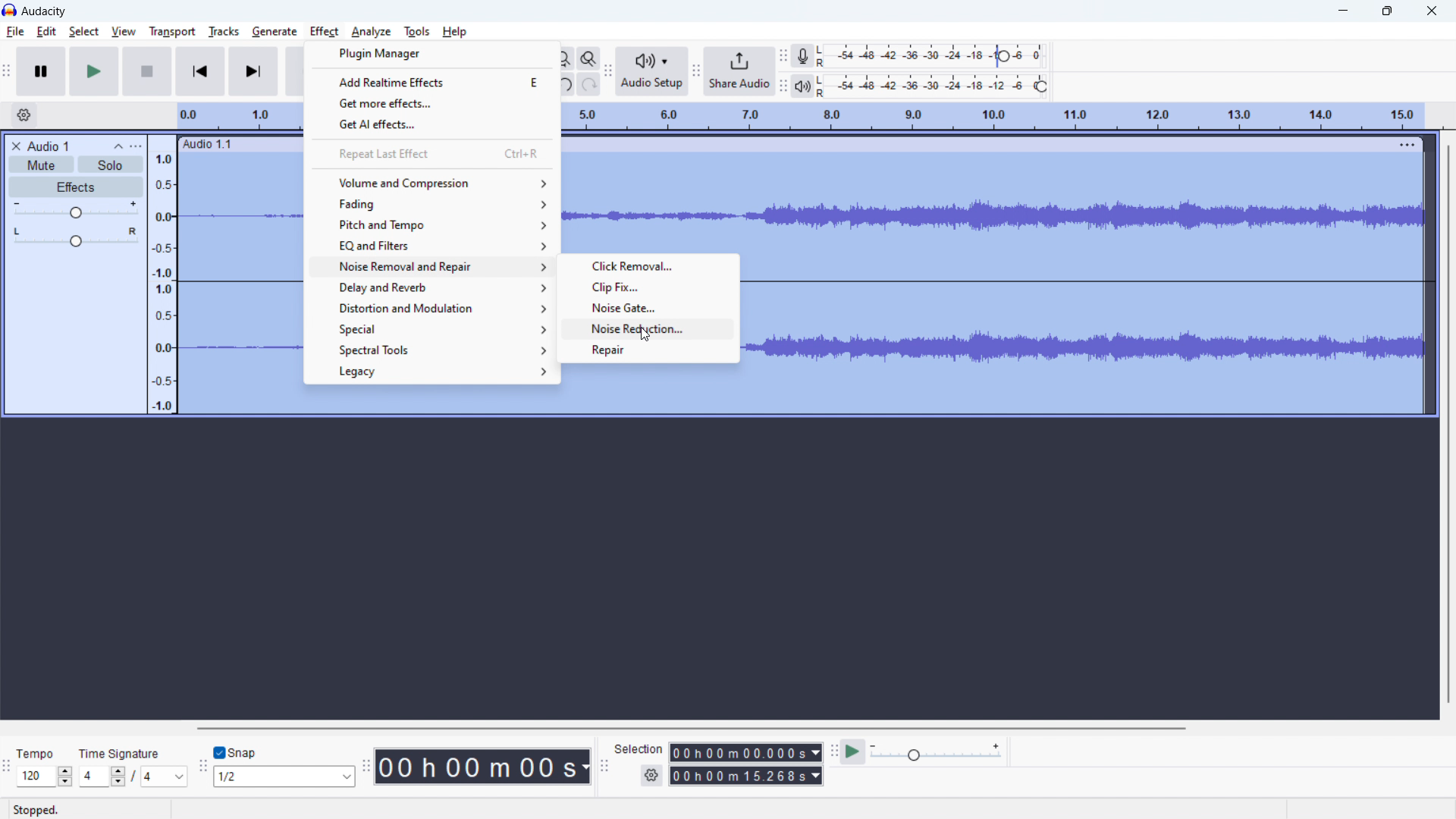  I want to click on play at speed toolbar, so click(833, 751).